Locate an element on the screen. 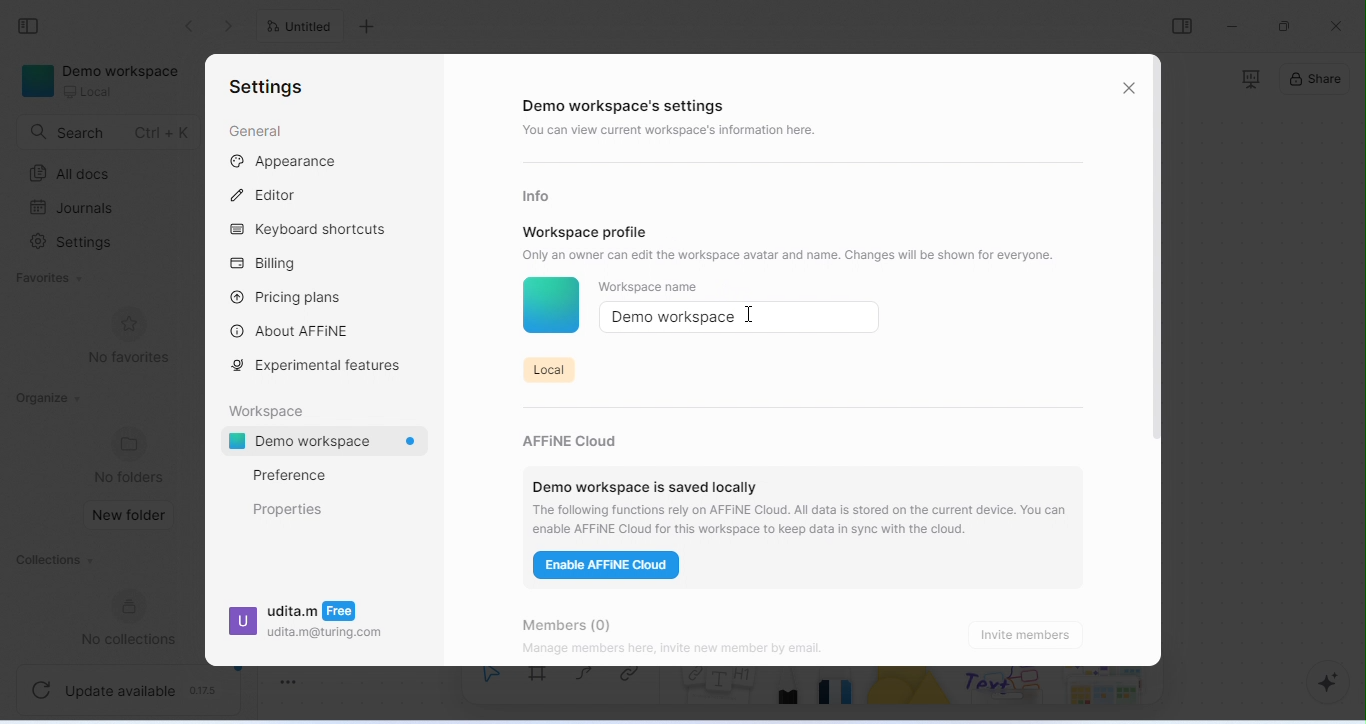 The height and width of the screenshot is (724, 1366). workspace profile is located at coordinates (586, 231).